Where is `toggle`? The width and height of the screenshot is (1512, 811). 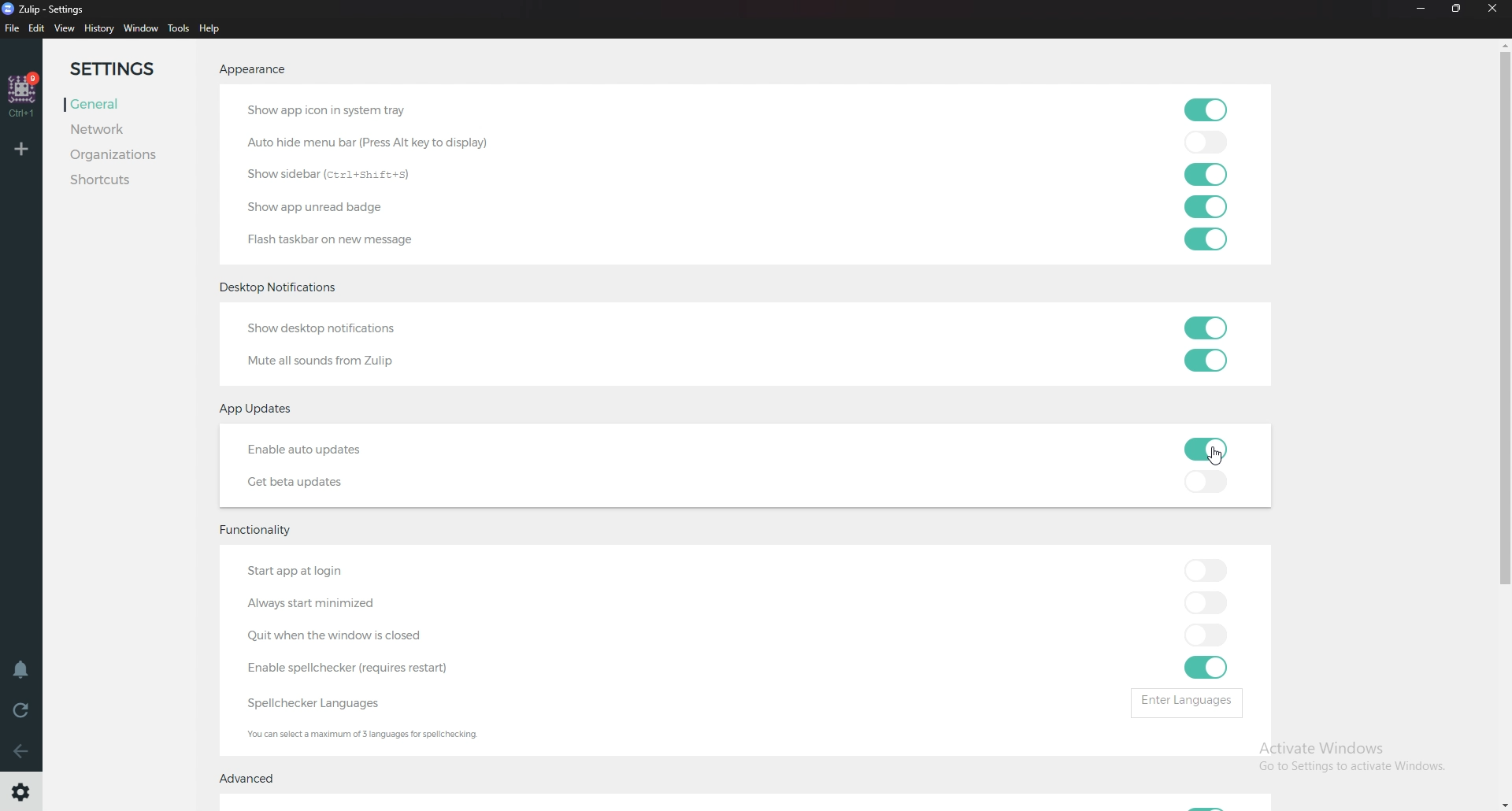 toggle is located at coordinates (1208, 206).